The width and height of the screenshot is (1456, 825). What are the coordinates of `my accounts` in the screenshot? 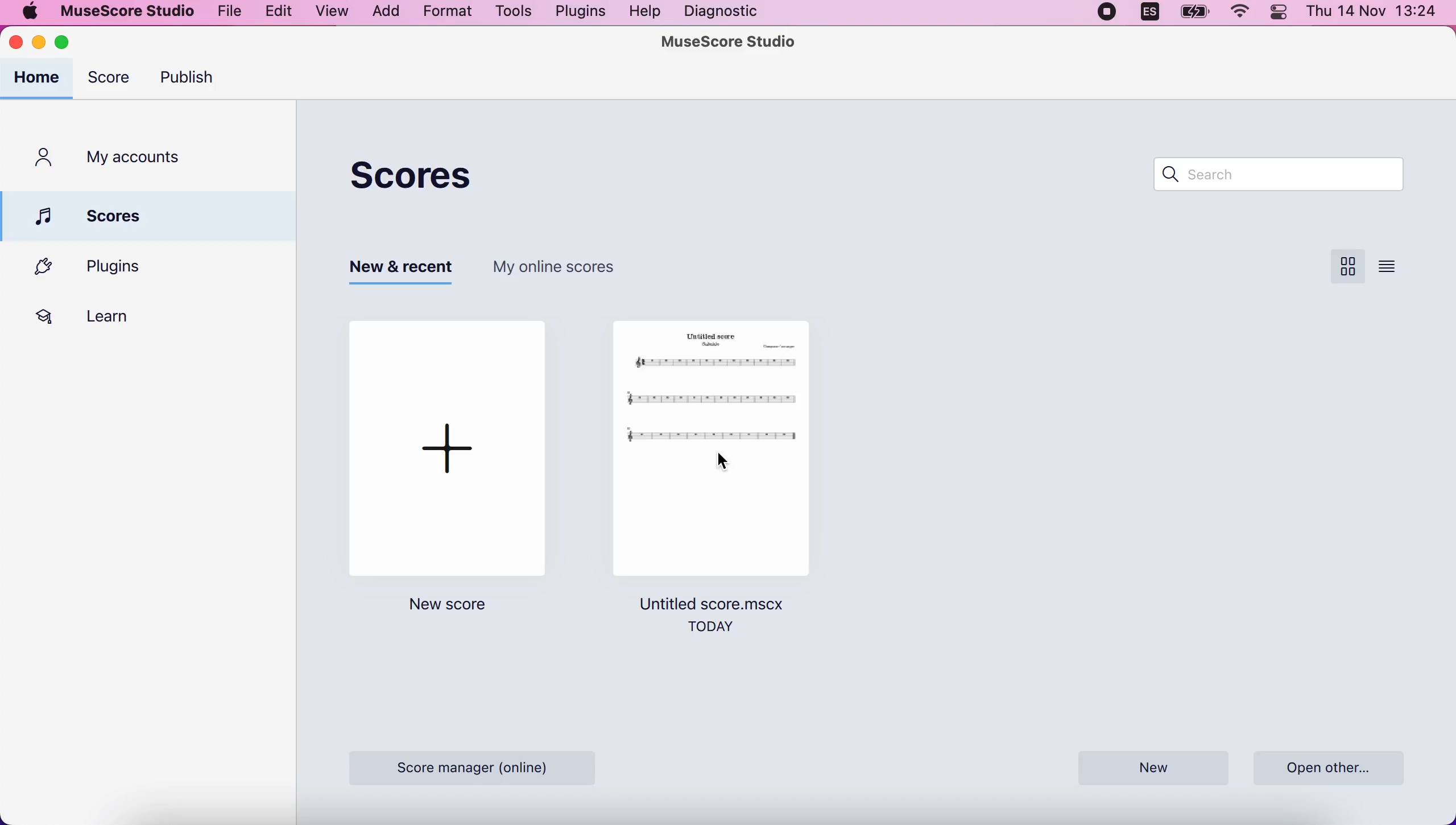 It's located at (114, 159).